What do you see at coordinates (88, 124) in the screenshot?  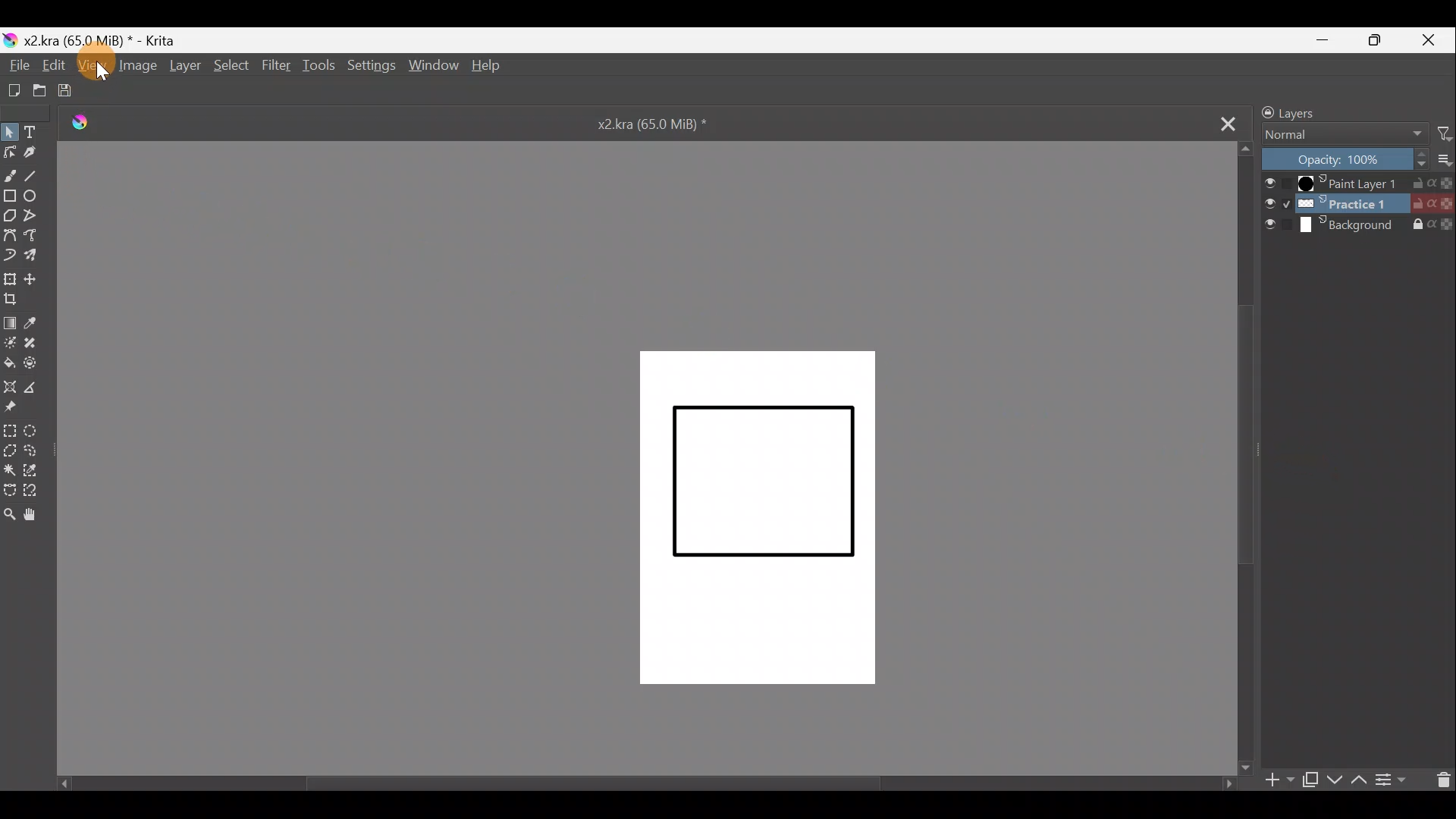 I see `Logo` at bounding box center [88, 124].